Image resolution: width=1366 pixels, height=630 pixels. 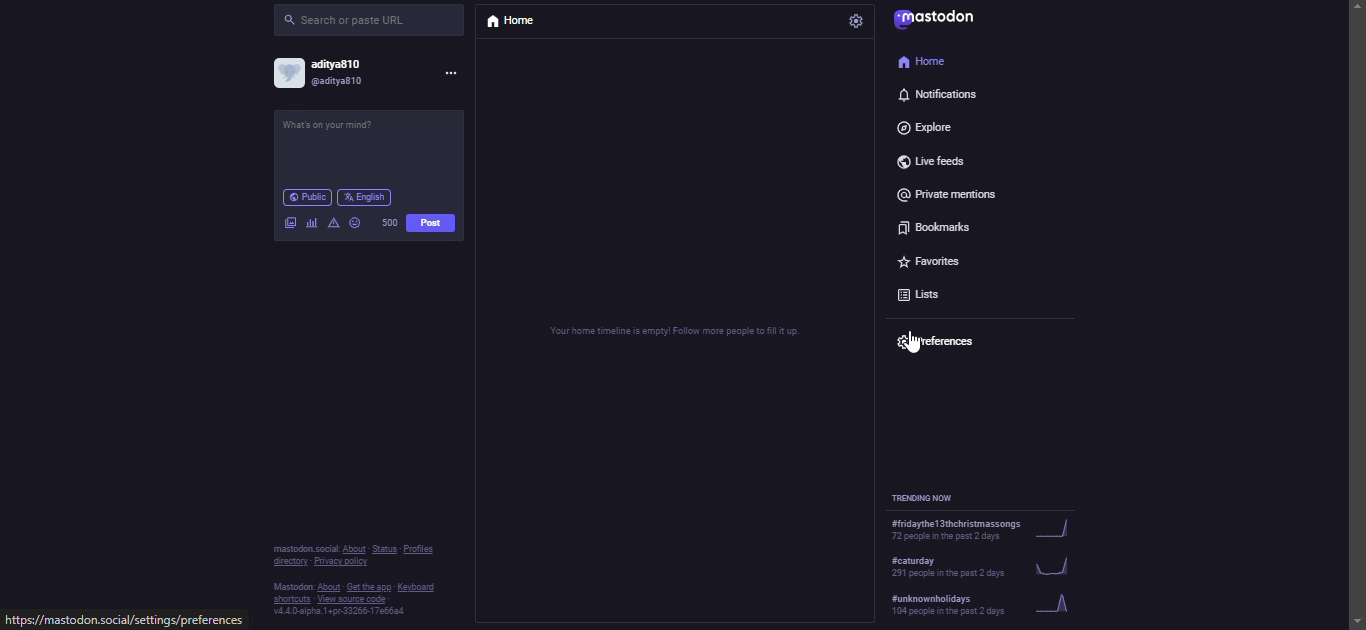 I want to click on notifications, so click(x=936, y=95).